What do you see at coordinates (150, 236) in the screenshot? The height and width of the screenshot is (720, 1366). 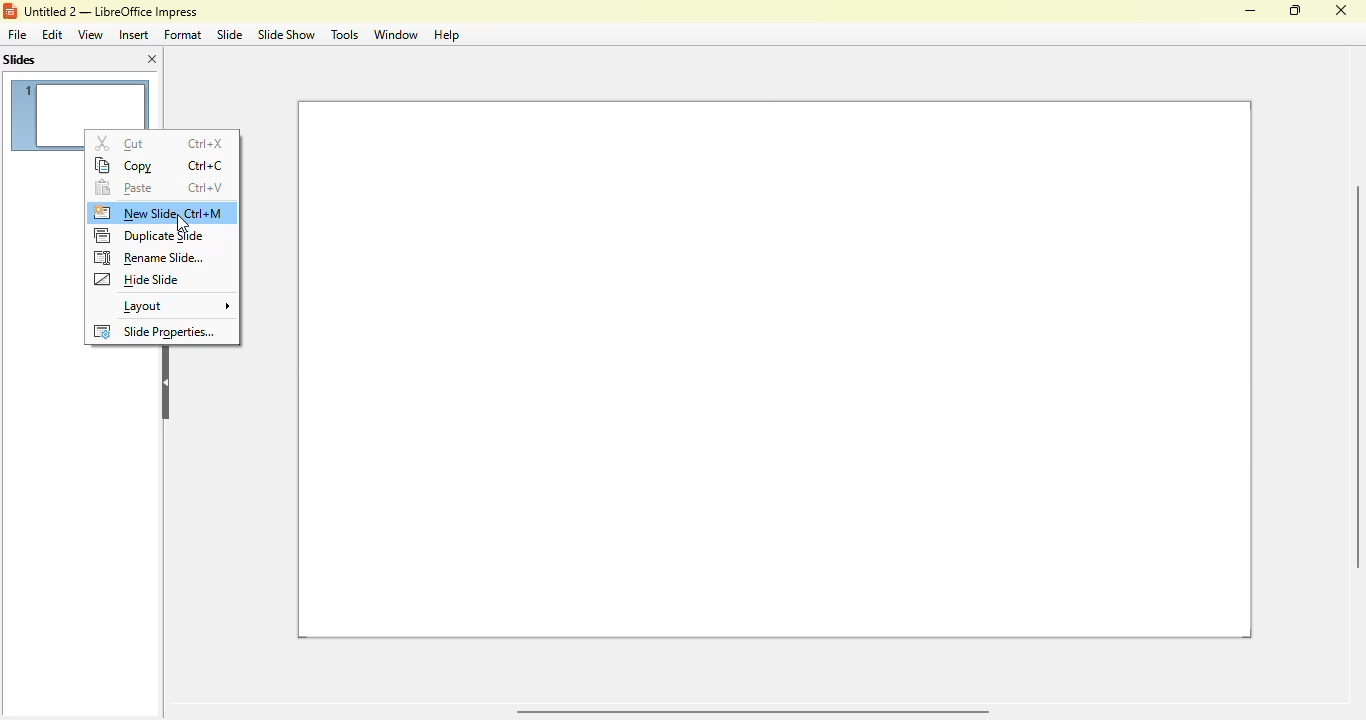 I see `duplicate slide` at bounding box center [150, 236].